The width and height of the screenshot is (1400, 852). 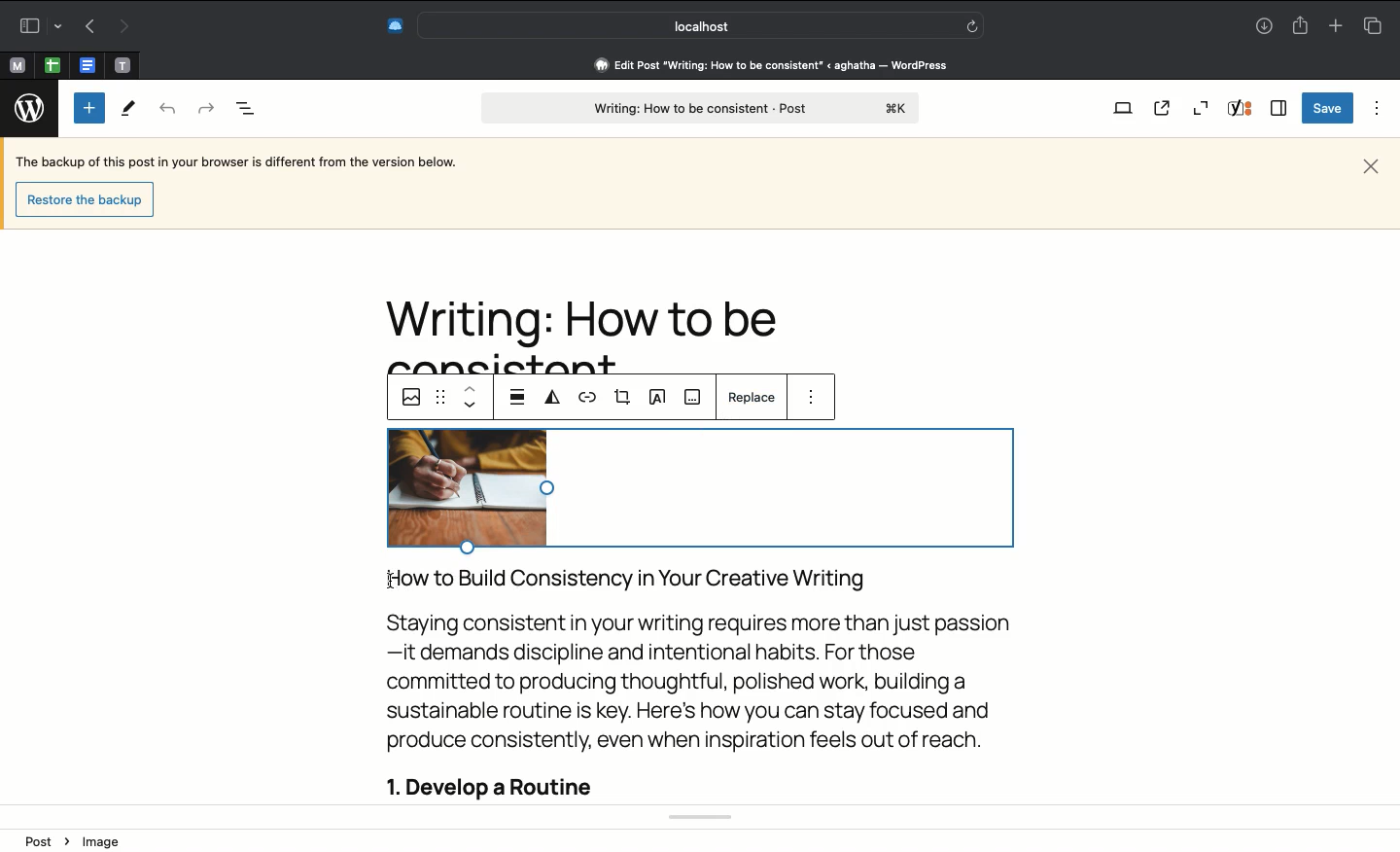 What do you see at coordinates (1162, 108) in the screenshot?
I see `View post` at bounding box center [1162, 108].